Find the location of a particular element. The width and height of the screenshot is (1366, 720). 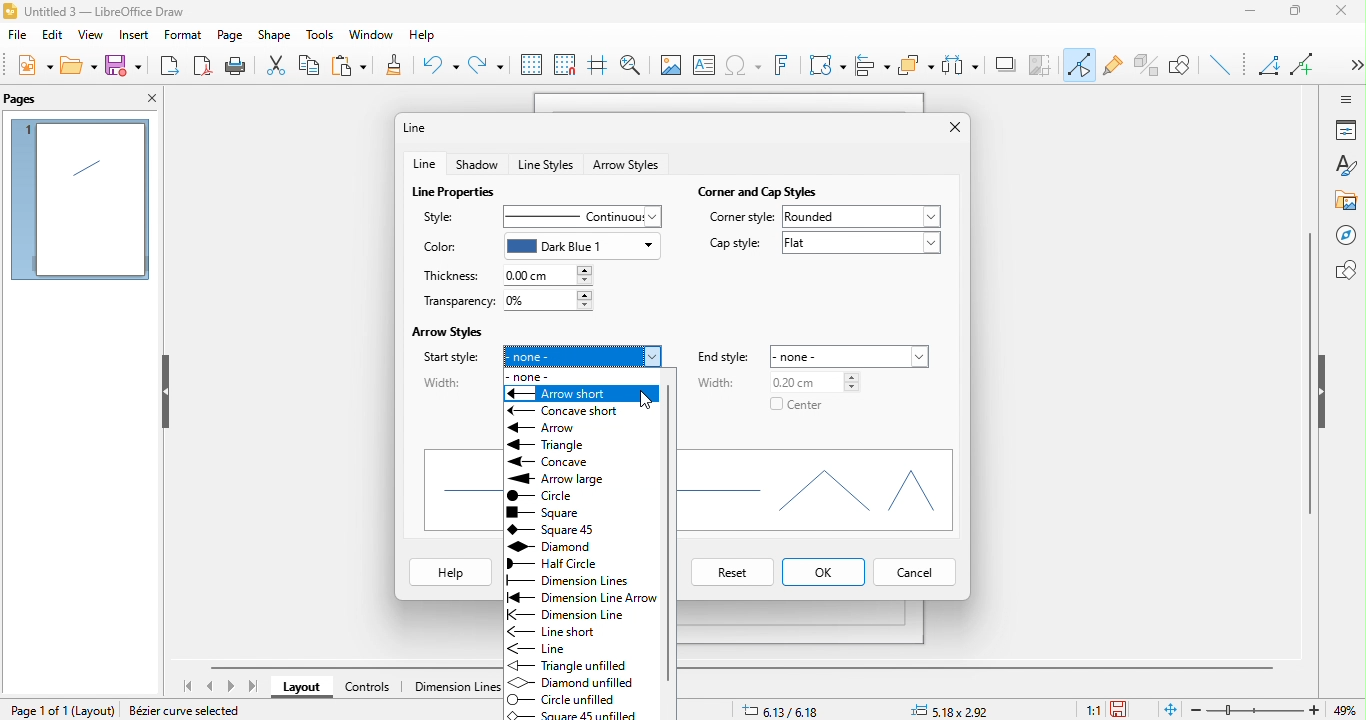

diamond unfilled is located at coordinates (582, 680).